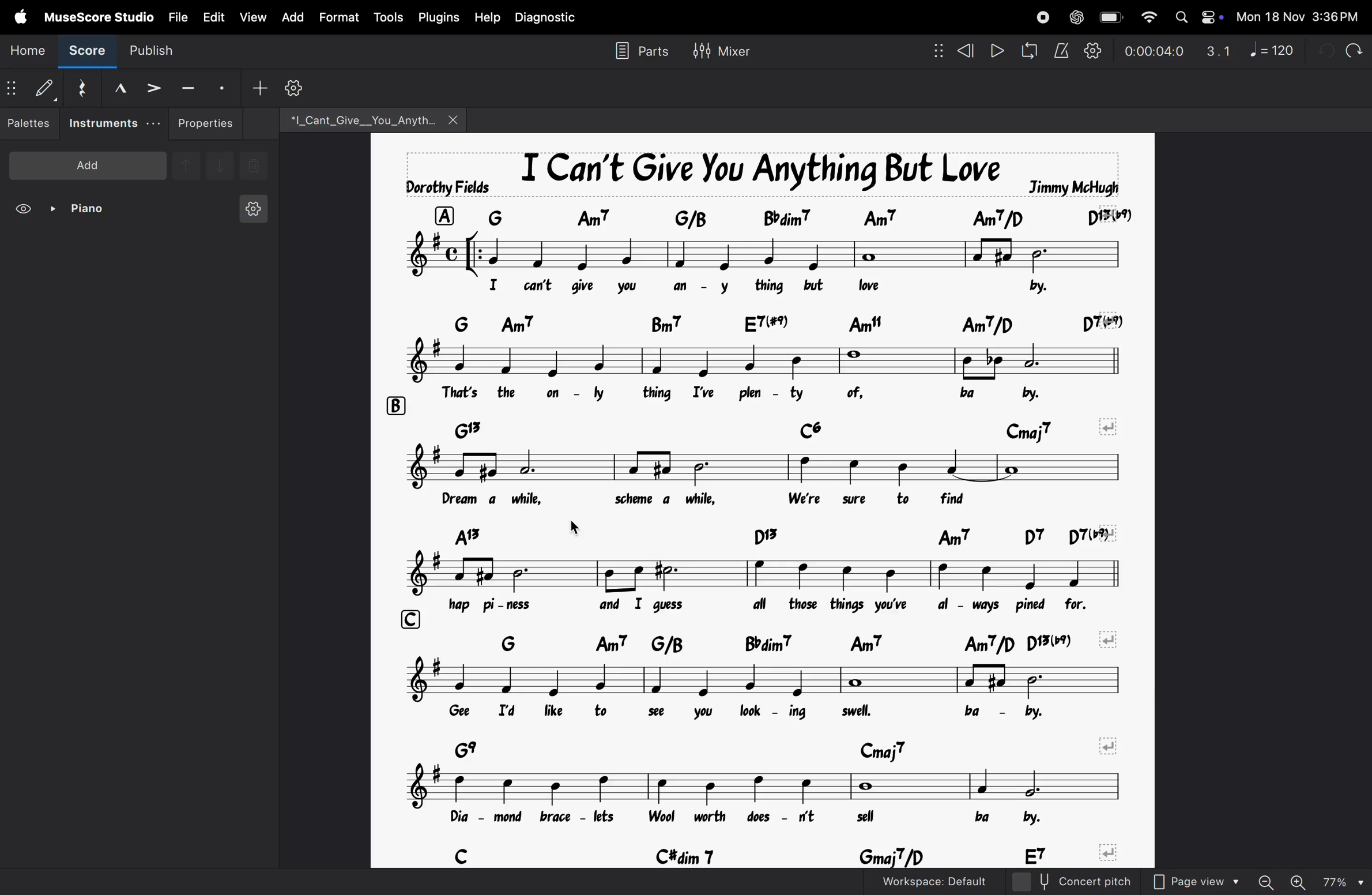 The width and height of the screenshot is (1372, 895). I want to click on stacato, so click(221, 88).